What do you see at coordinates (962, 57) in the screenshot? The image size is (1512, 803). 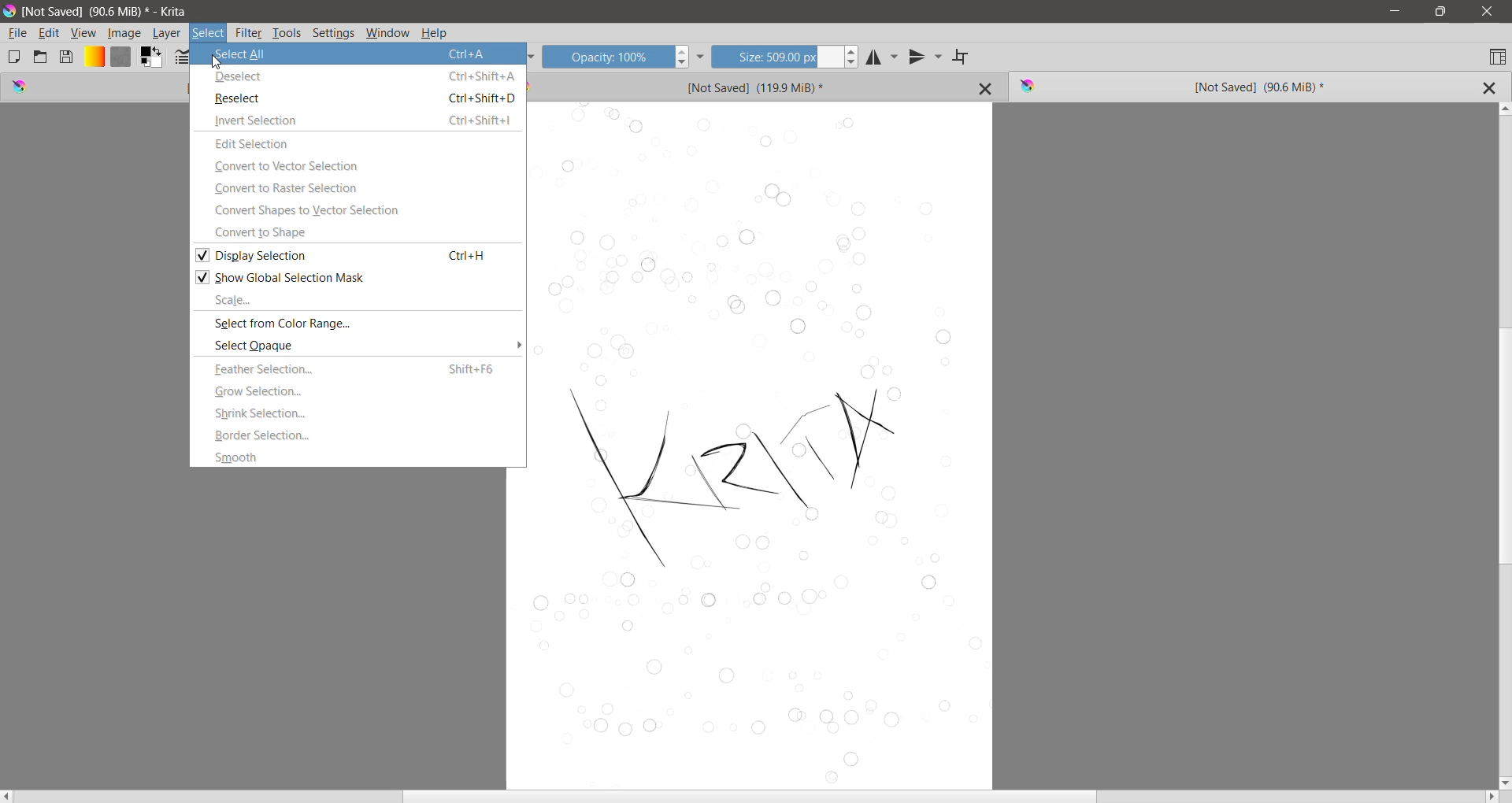 I see `Wrap Around Mode` at bounding box center [962, 57].